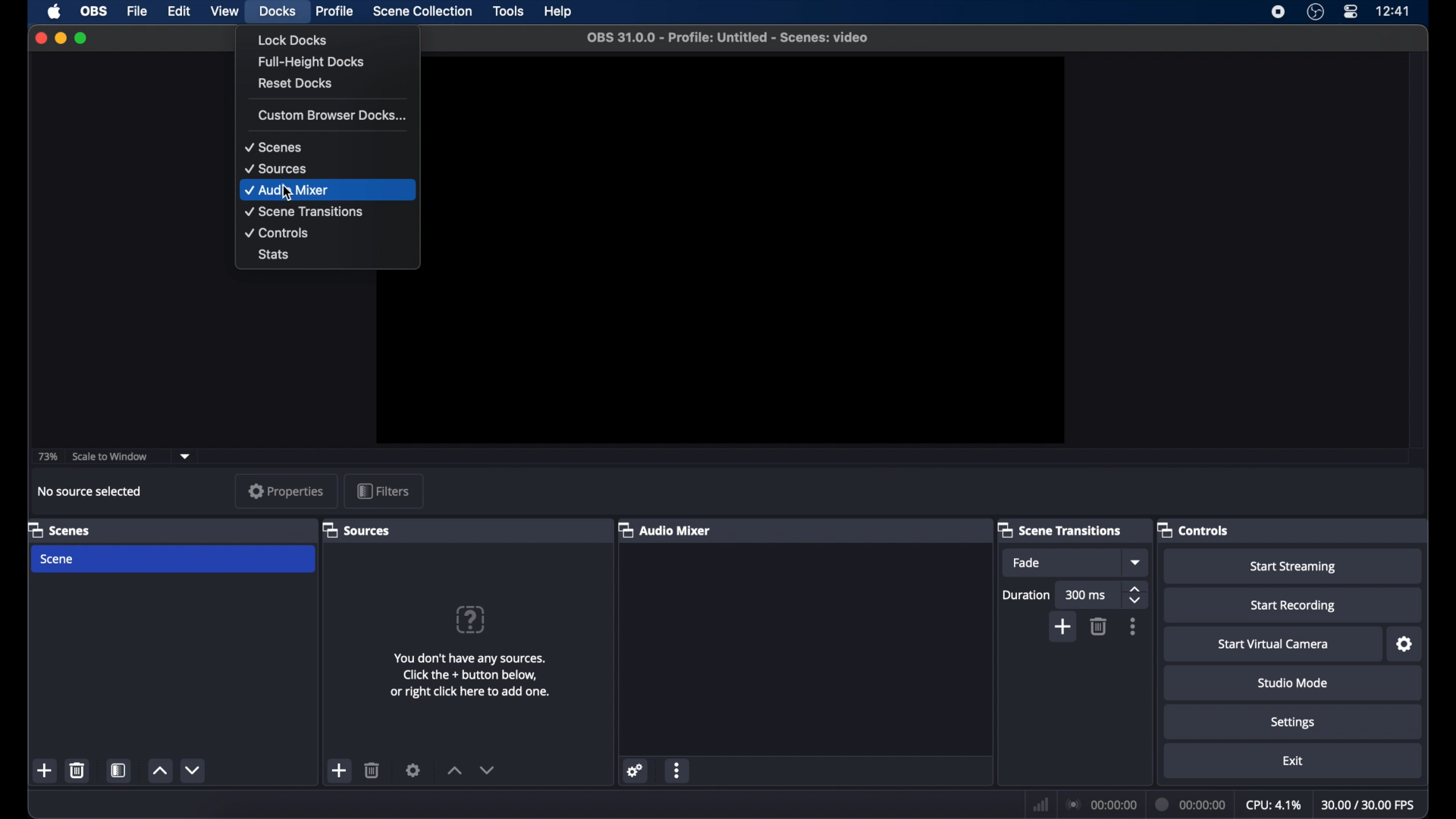 The image size is (1456, 819). I want to click on scene transitions, so click(305, 212).